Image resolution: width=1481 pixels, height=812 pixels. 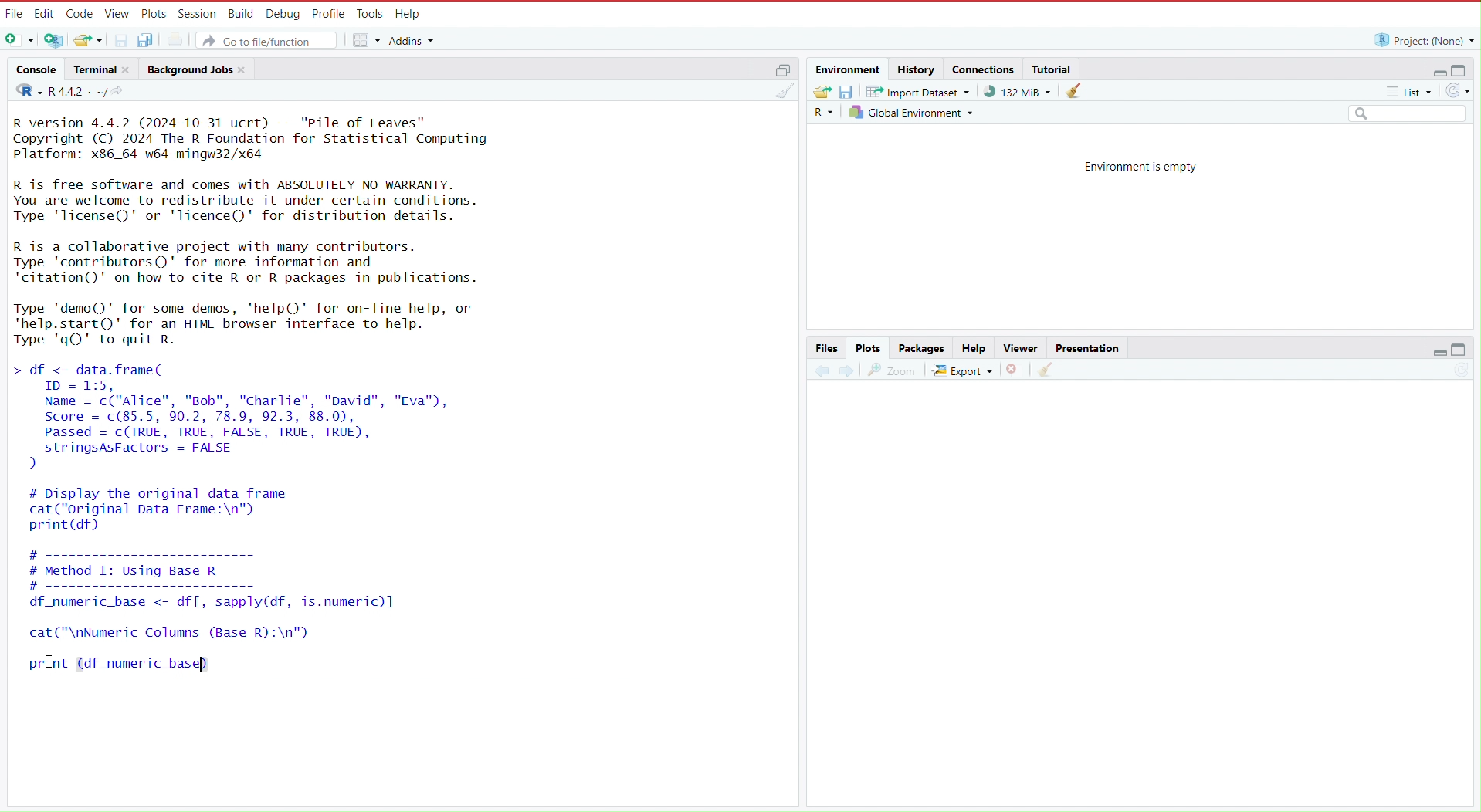 I want to click on print the current file, so click(x=175, y=41).